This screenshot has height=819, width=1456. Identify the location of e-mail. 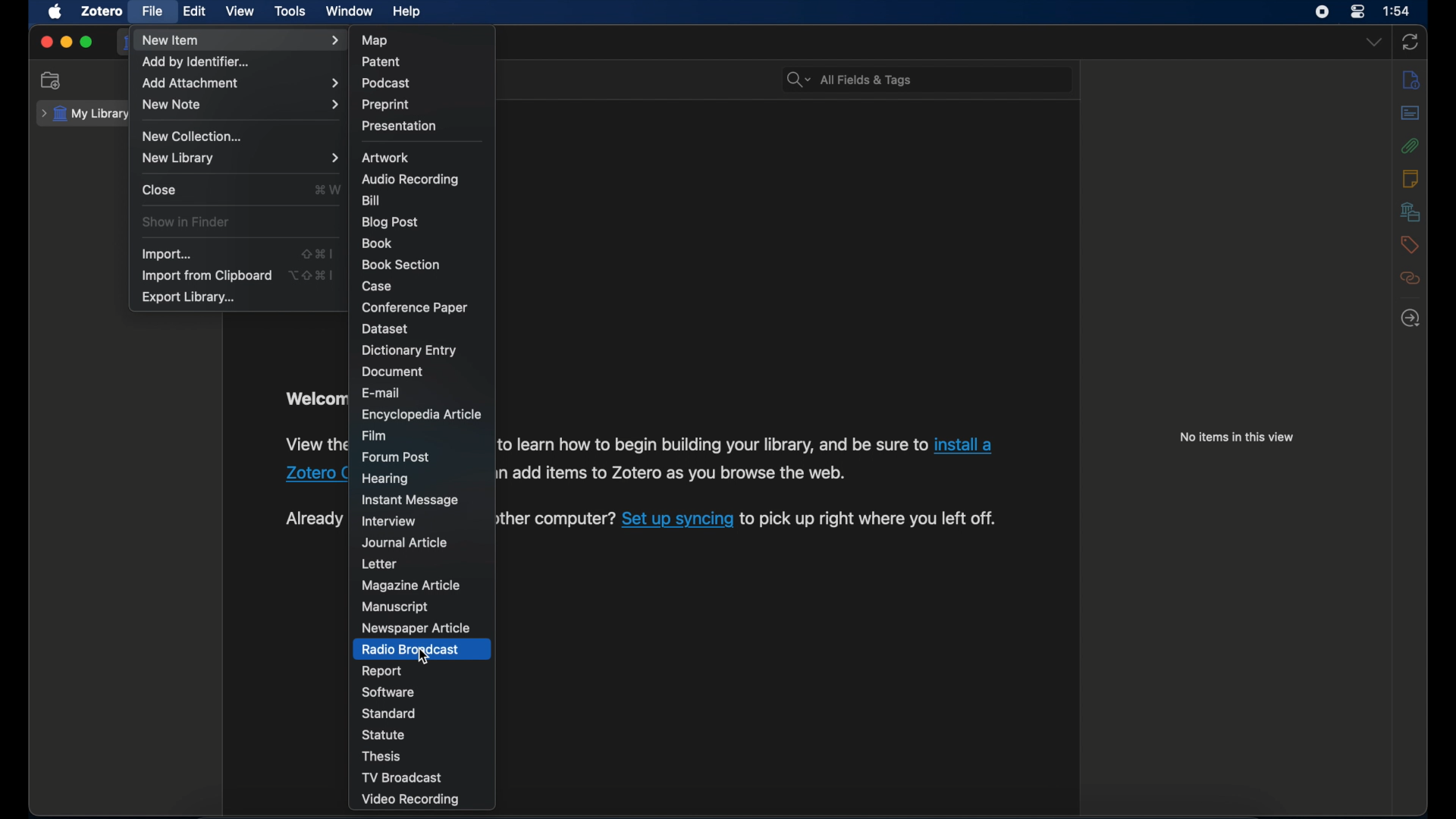
(383, 392).